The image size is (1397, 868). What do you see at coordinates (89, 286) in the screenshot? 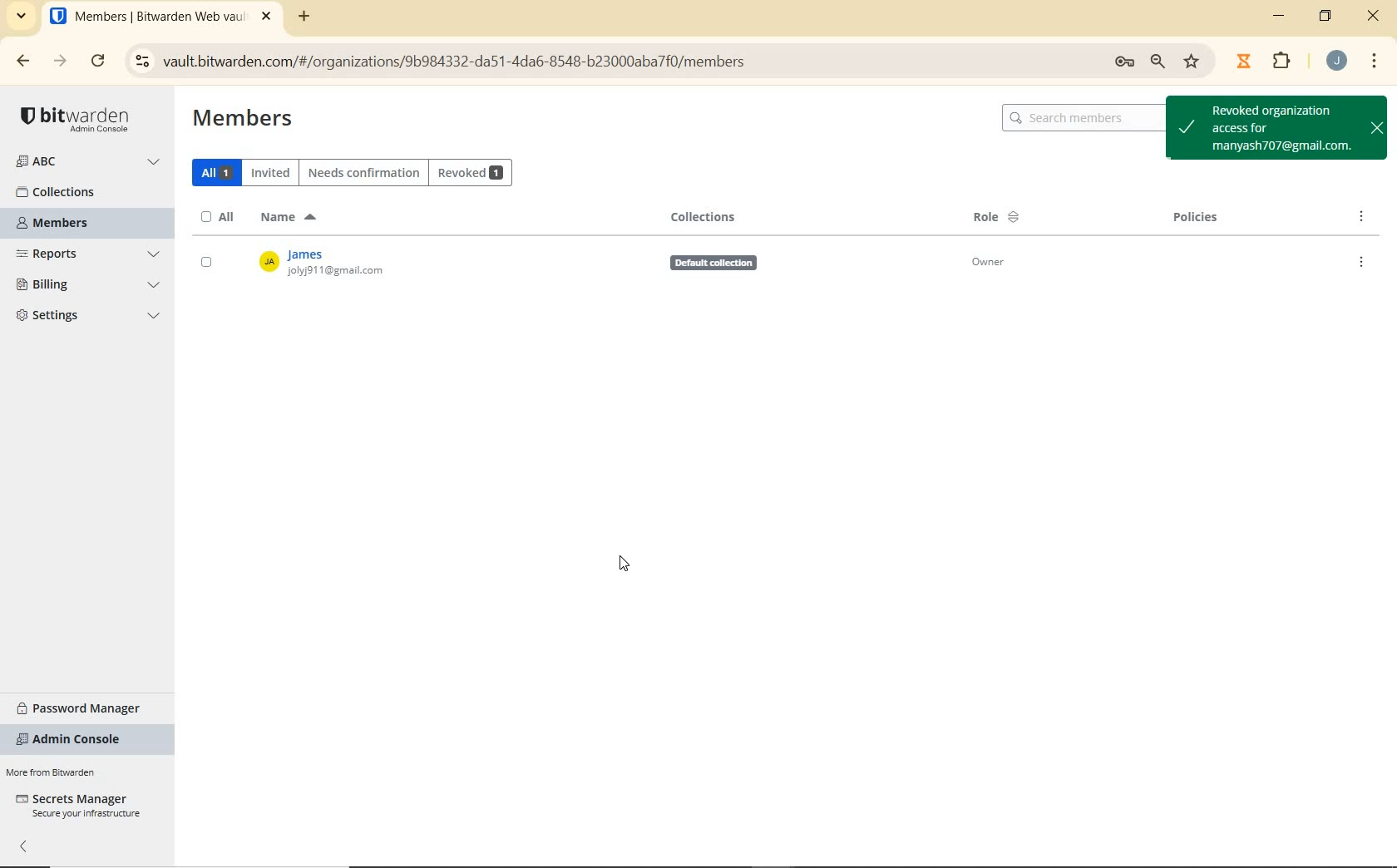
I see `BILLING` at bounding box center [89, 286].